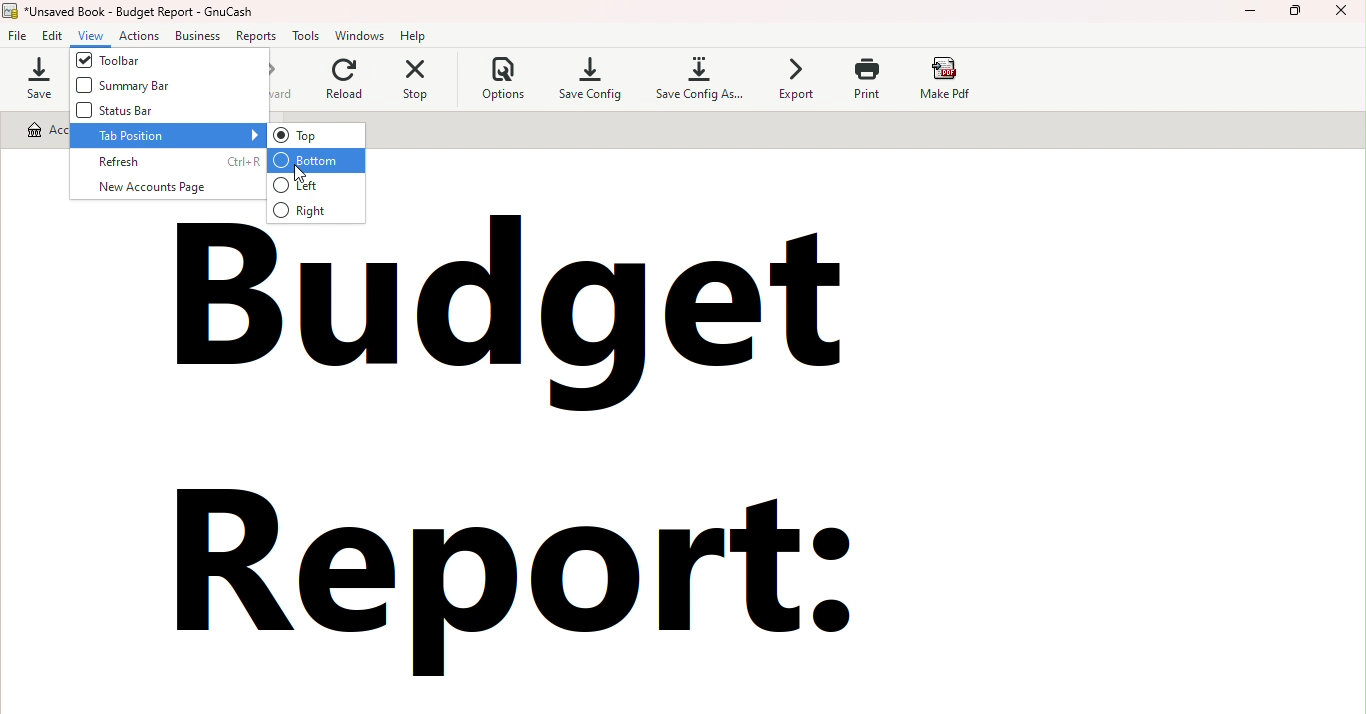 The height and width of the screenshot is (714, 1366). I want to click on edit, so click(57, 35).